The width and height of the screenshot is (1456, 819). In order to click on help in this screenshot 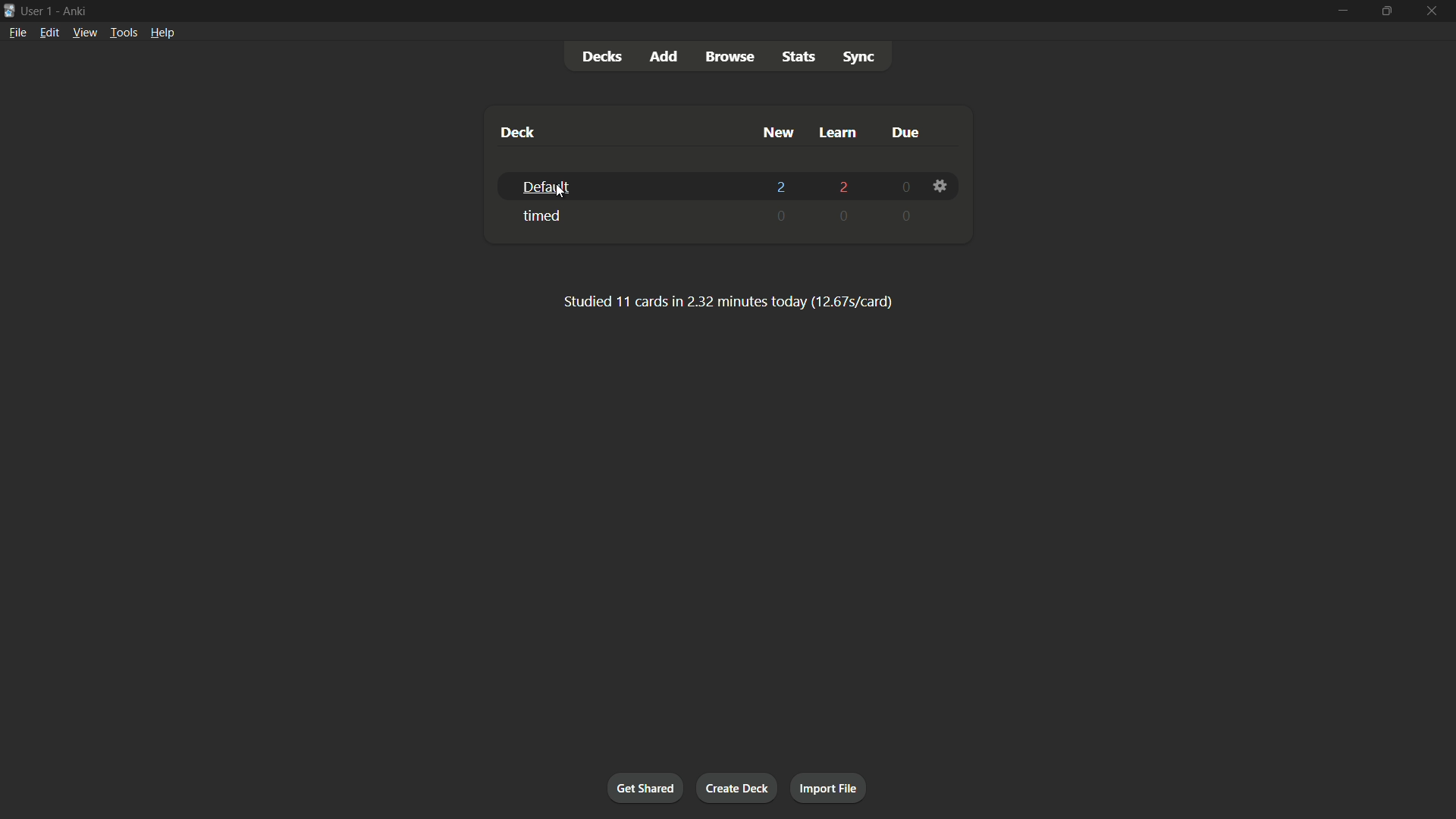, I will do `click(163, 32)`.